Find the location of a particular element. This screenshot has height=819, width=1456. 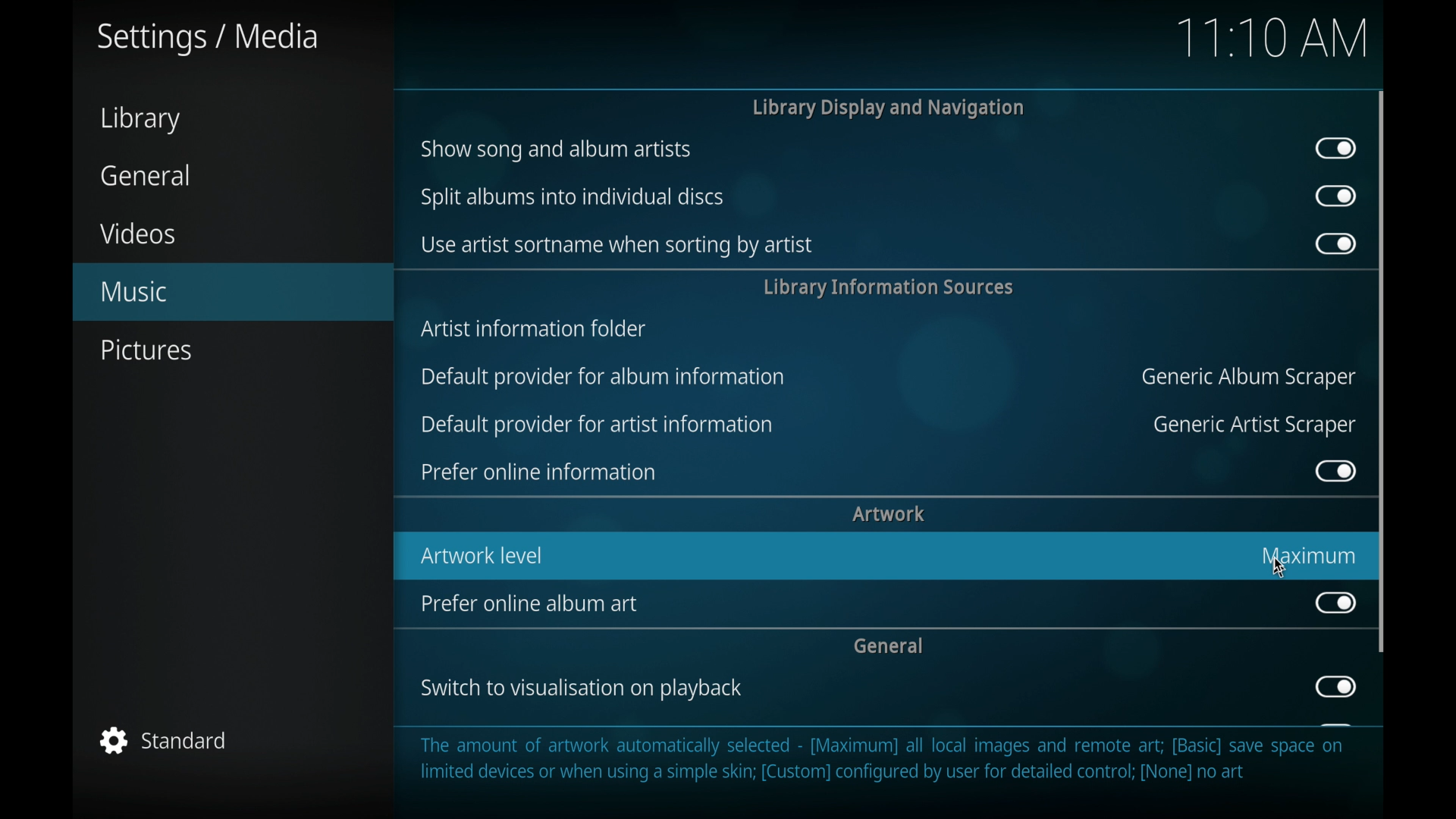

use artists sort name when sorting by artist is located at coordinates (618, 245).